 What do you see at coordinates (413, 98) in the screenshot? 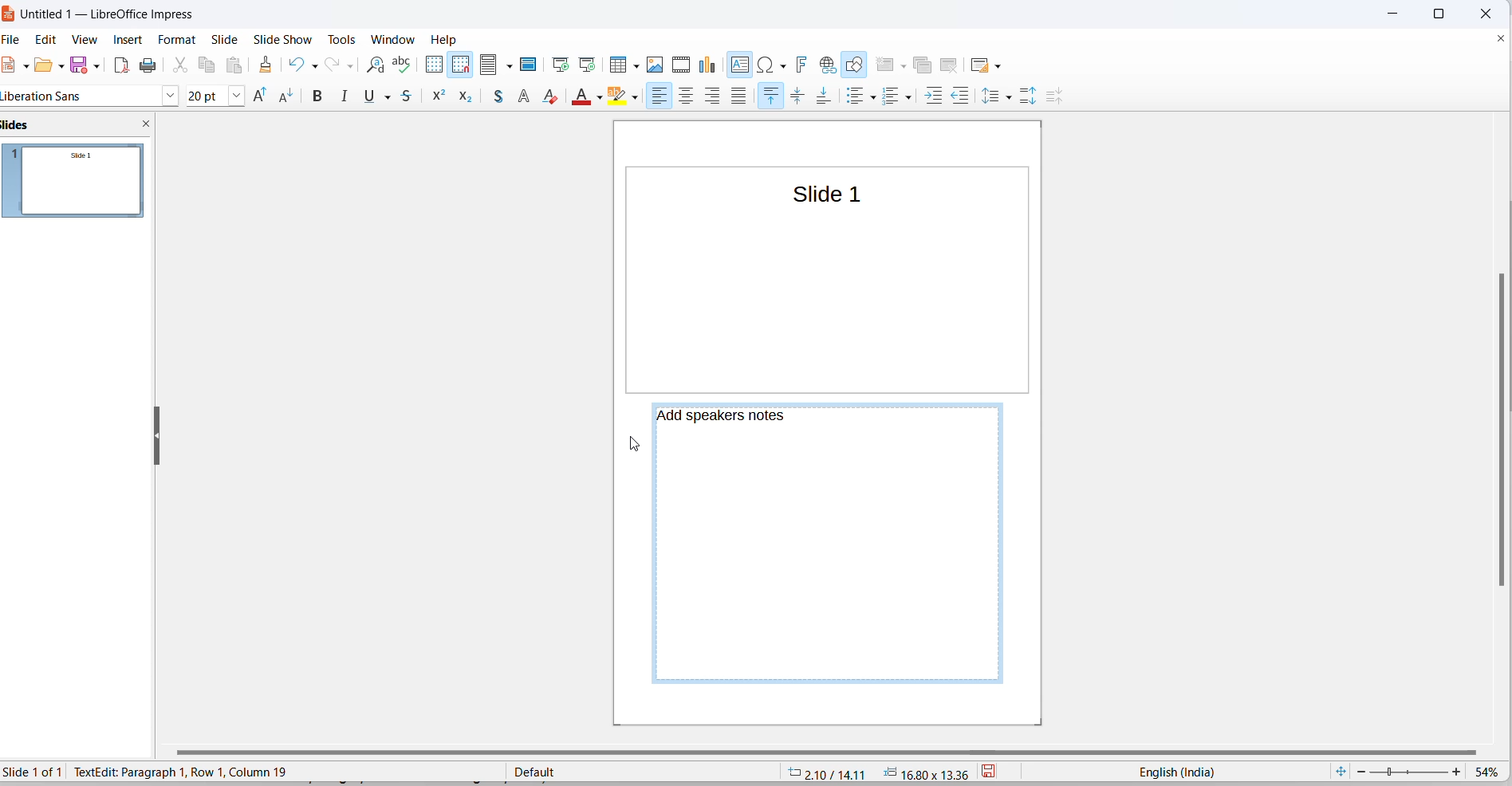
I see `block arrows` at bounding box center [413, 98].